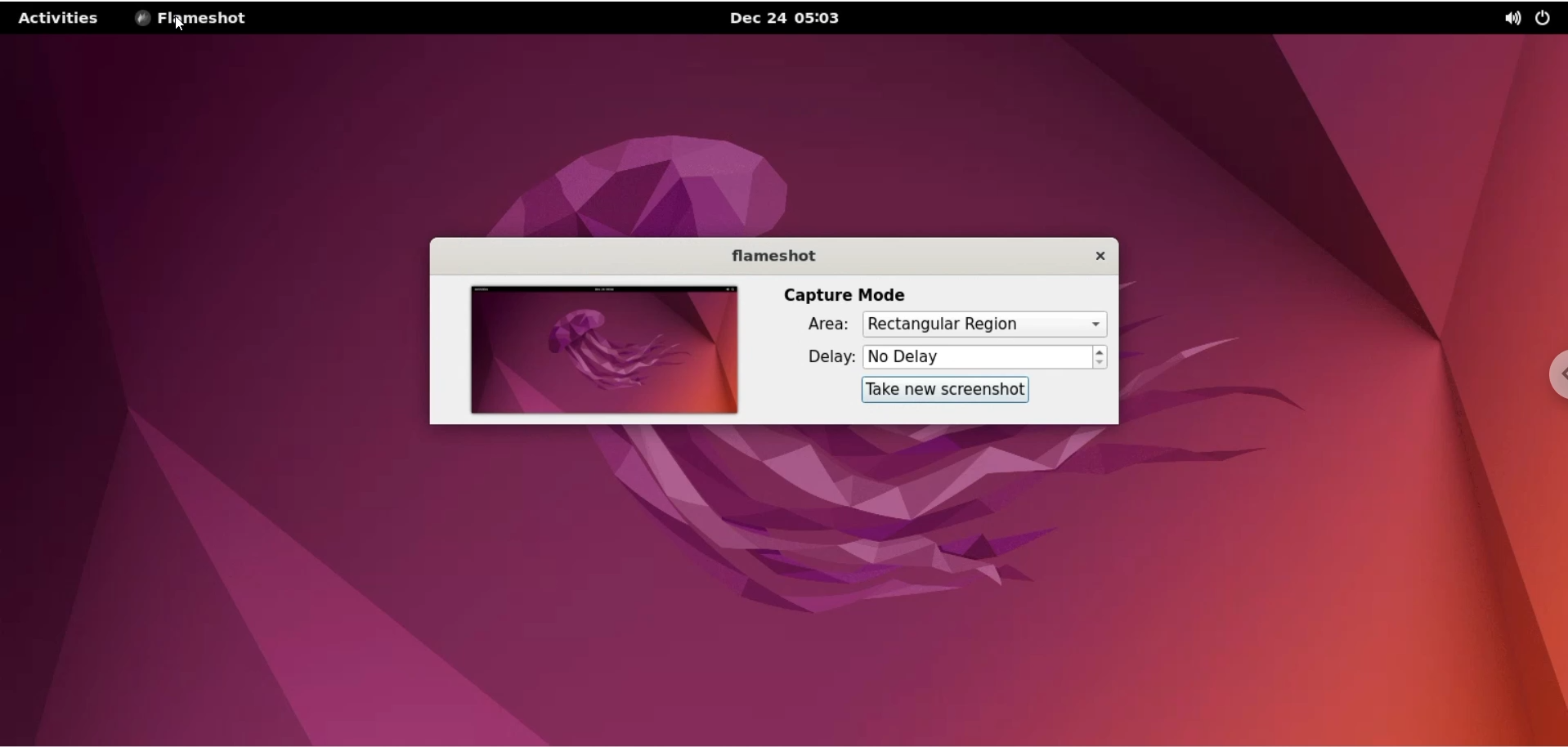  I want to click on delay:, so click(824, 355).